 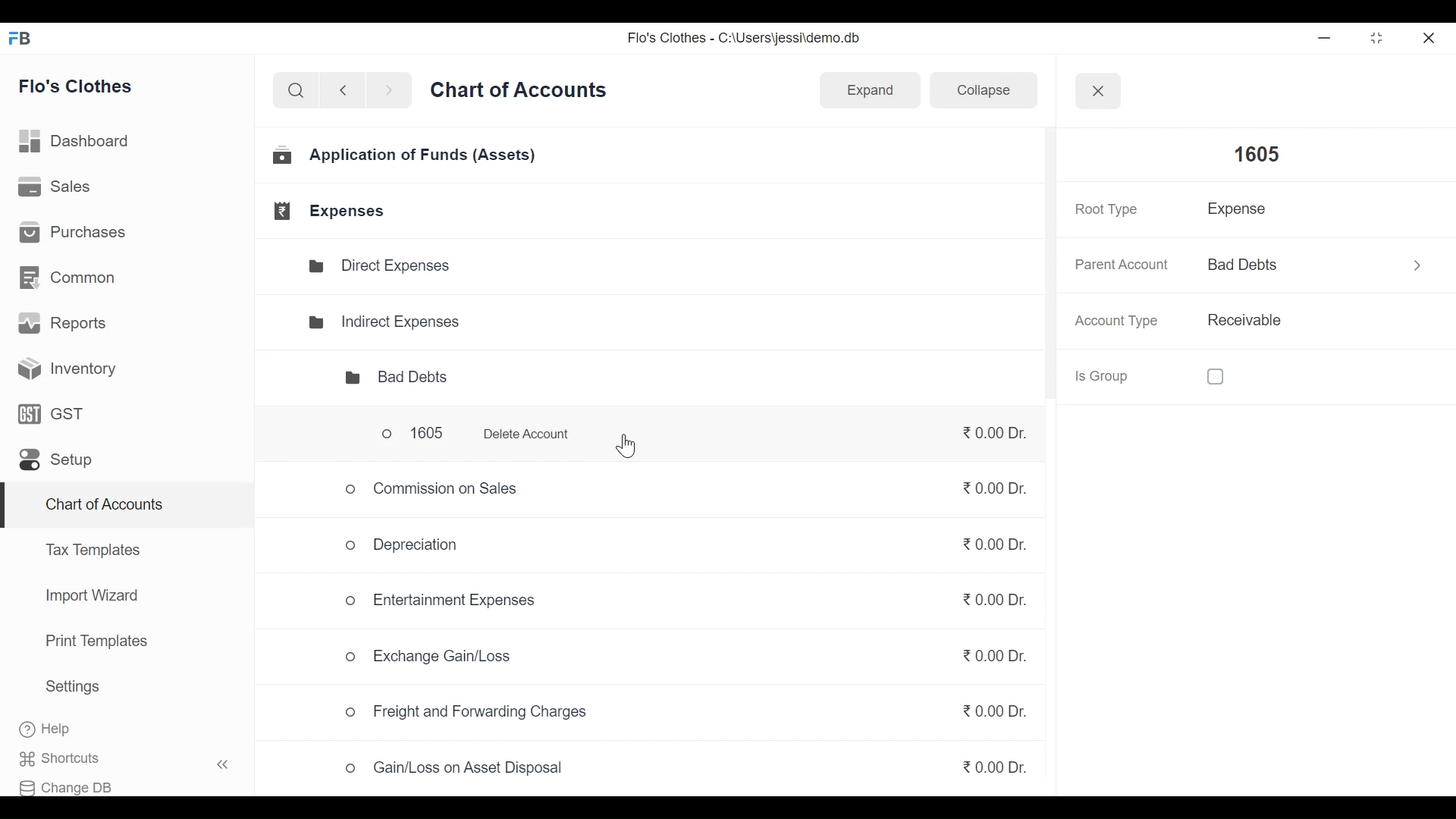 I want to click on Settings, so click(x=72, y=689).